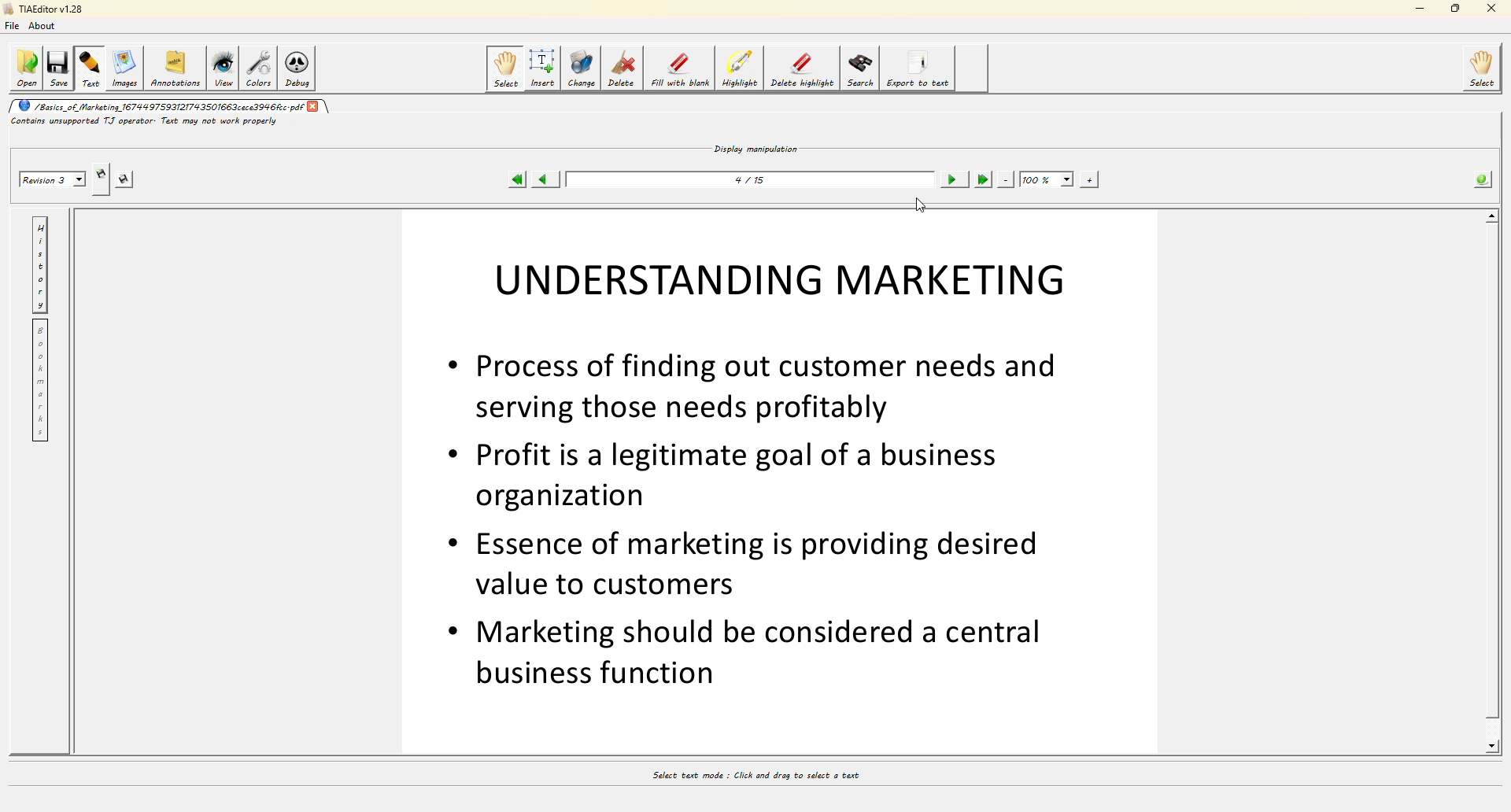 The width and height of the screenshot is (1511, 812). I want to click on text, so click(90, 70).